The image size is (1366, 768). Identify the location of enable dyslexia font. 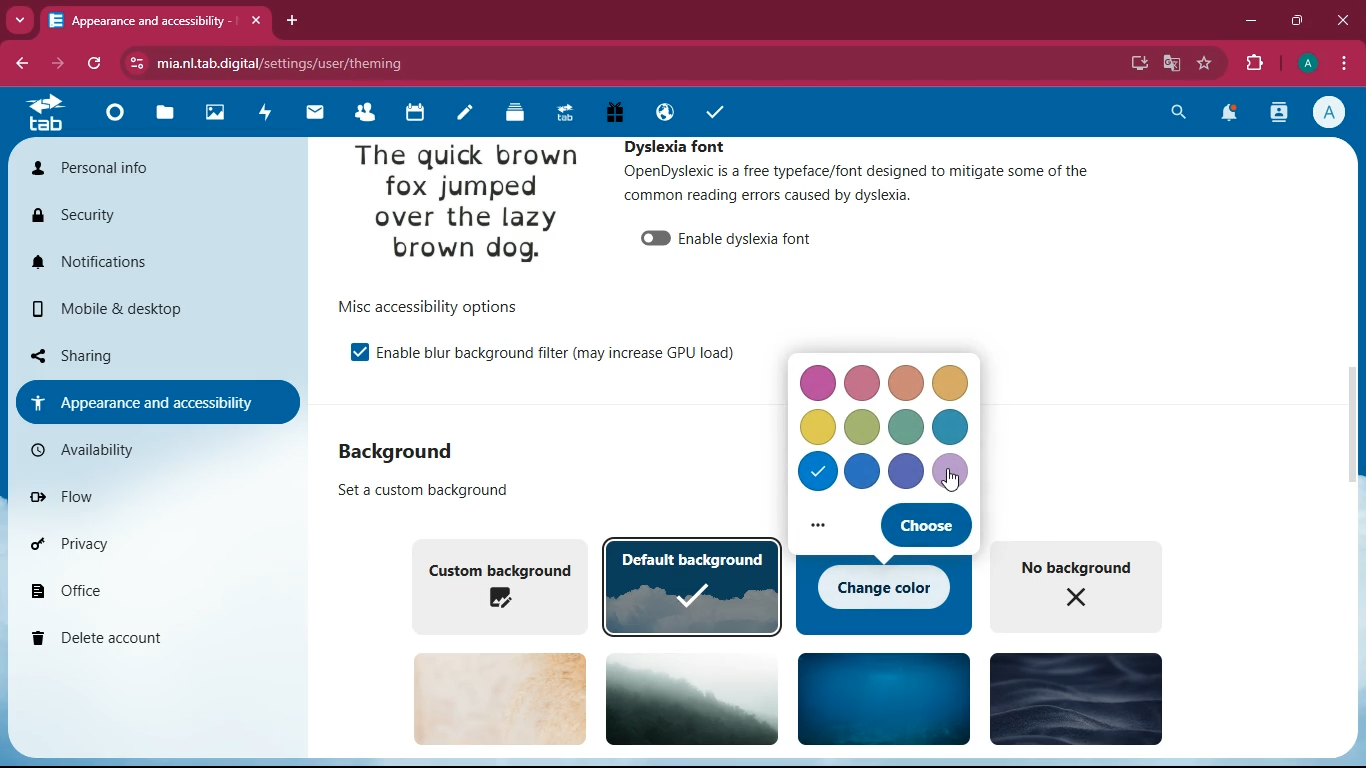
(753, 238).